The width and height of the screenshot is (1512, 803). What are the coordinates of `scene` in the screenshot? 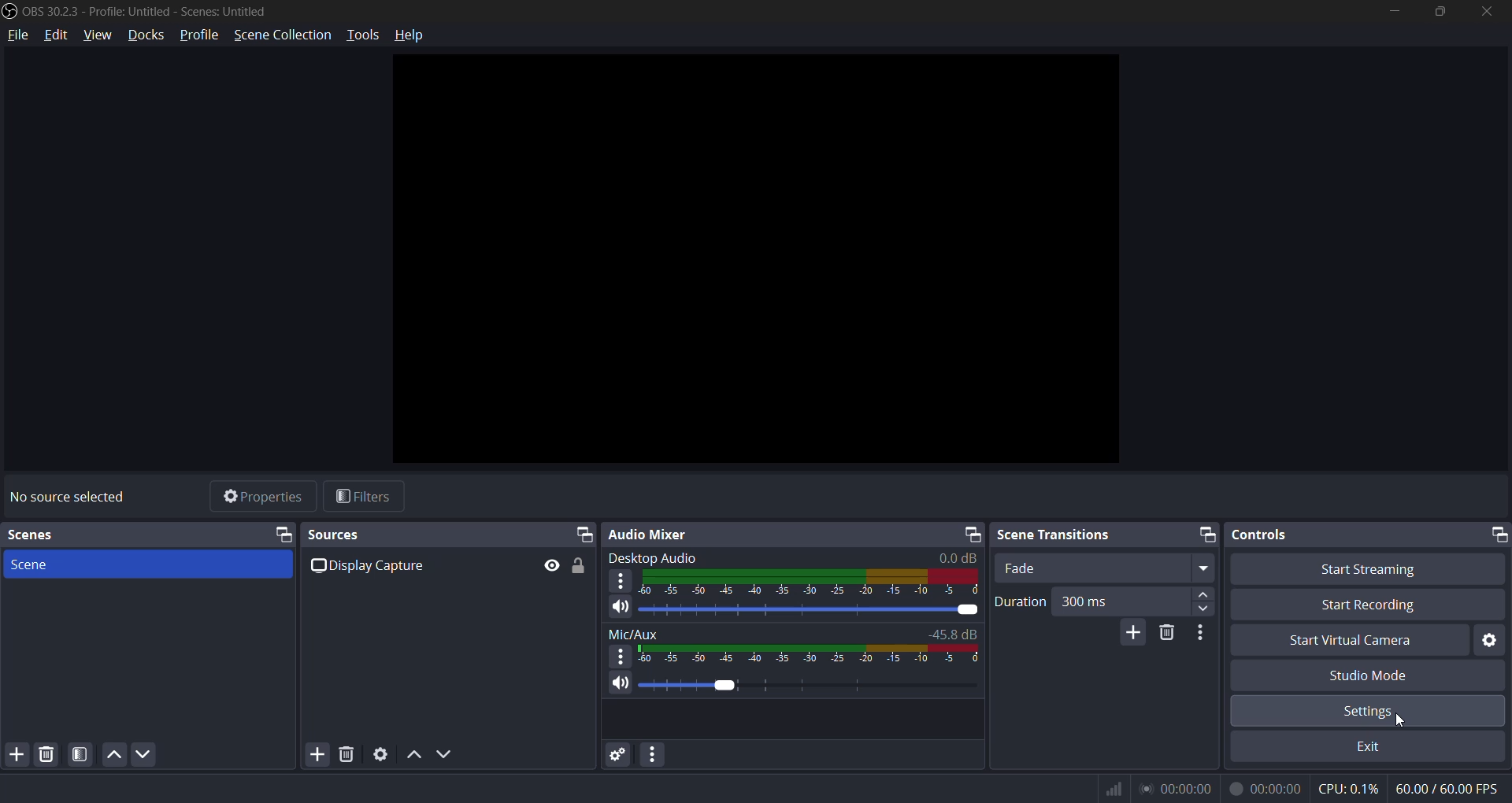 It's located at (37, 565).